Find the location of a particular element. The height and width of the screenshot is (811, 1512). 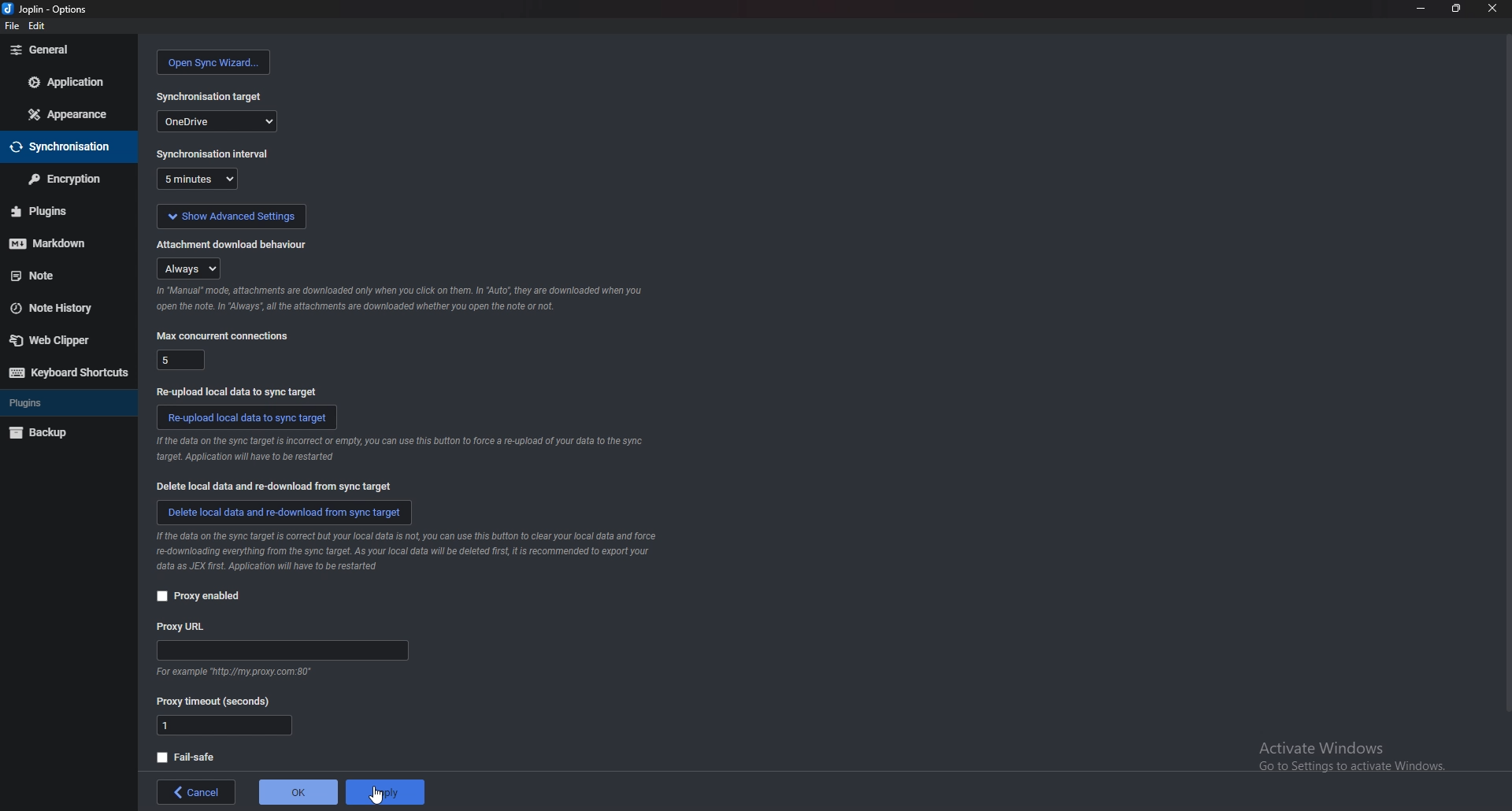

appearance is located at coordinates (71, 113).